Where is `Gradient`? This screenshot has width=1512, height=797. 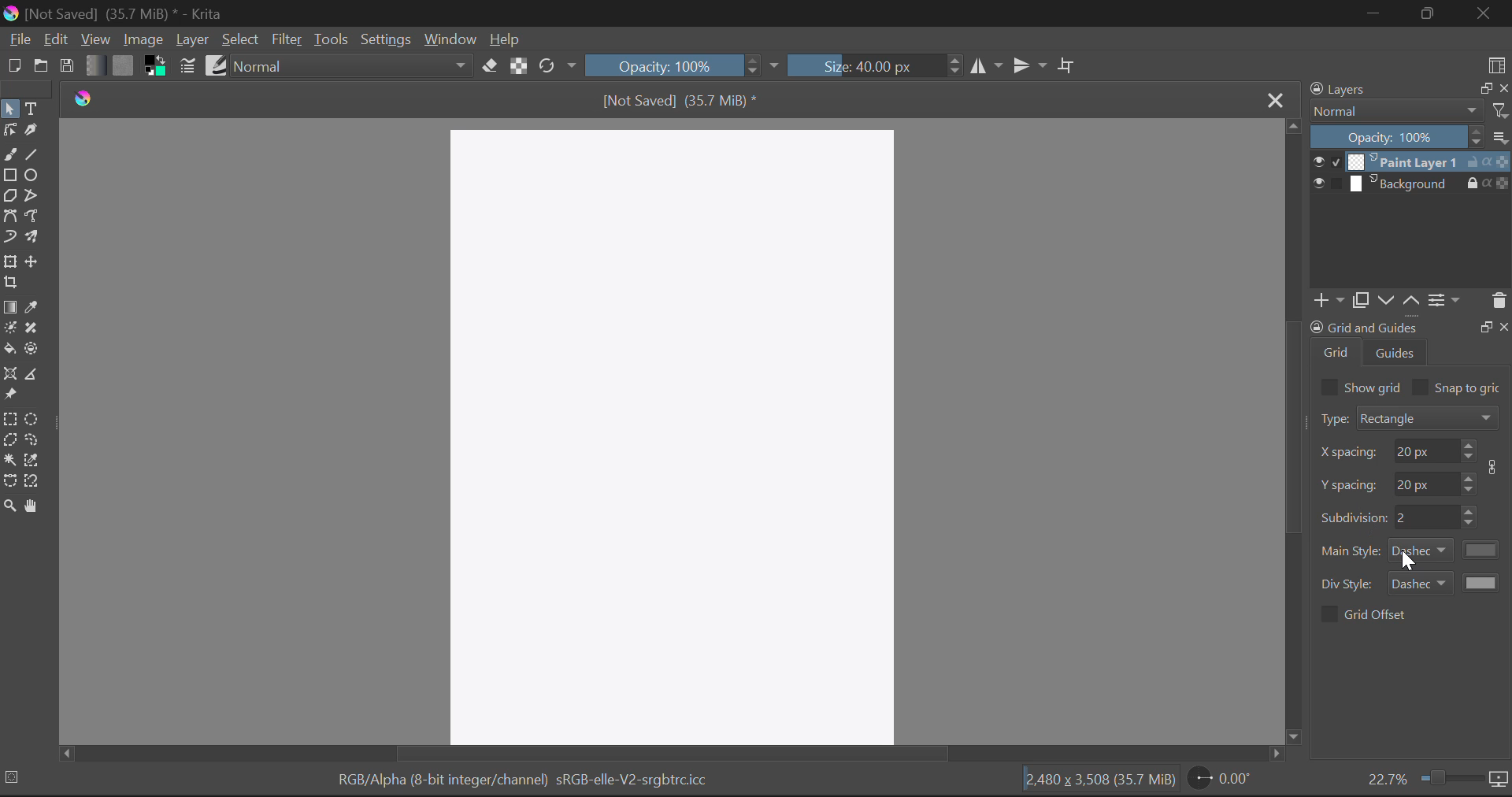 Gradient is located at coordinates (94, 64).